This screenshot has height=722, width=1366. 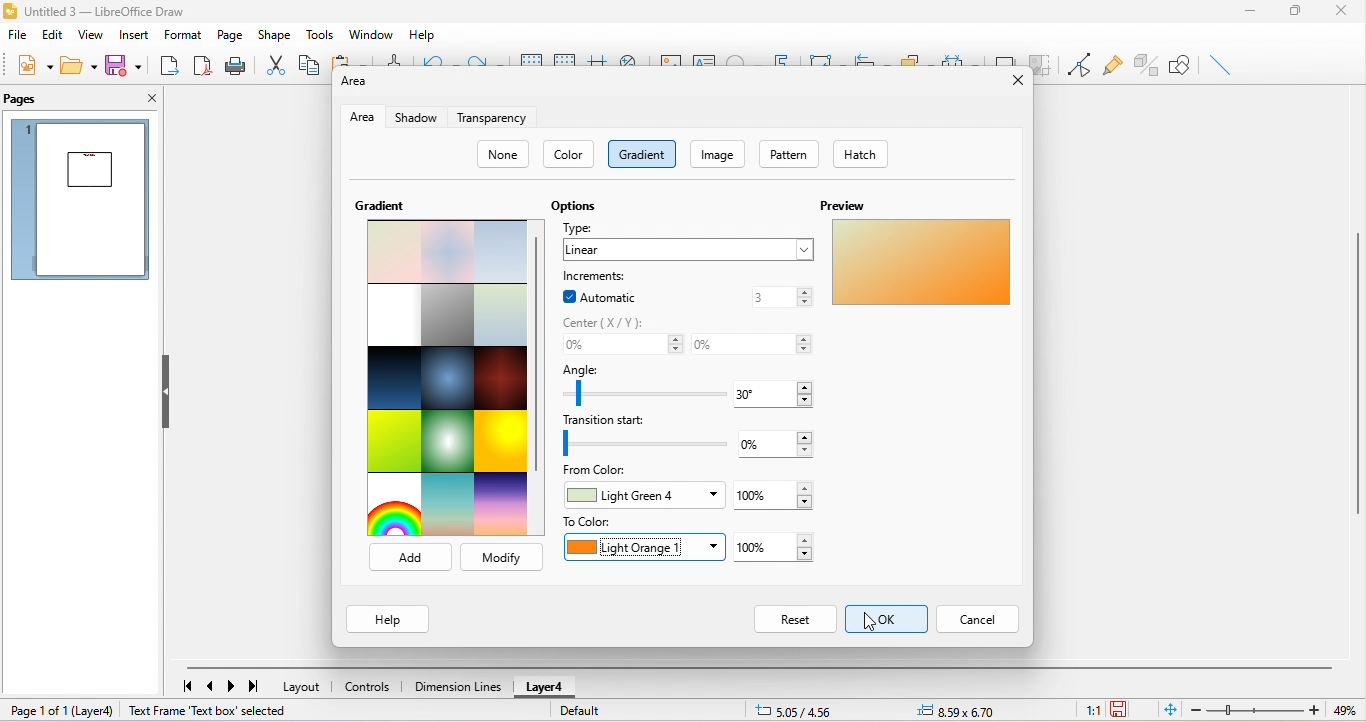 I want to click on maximize, so click(x=1296, y=11).